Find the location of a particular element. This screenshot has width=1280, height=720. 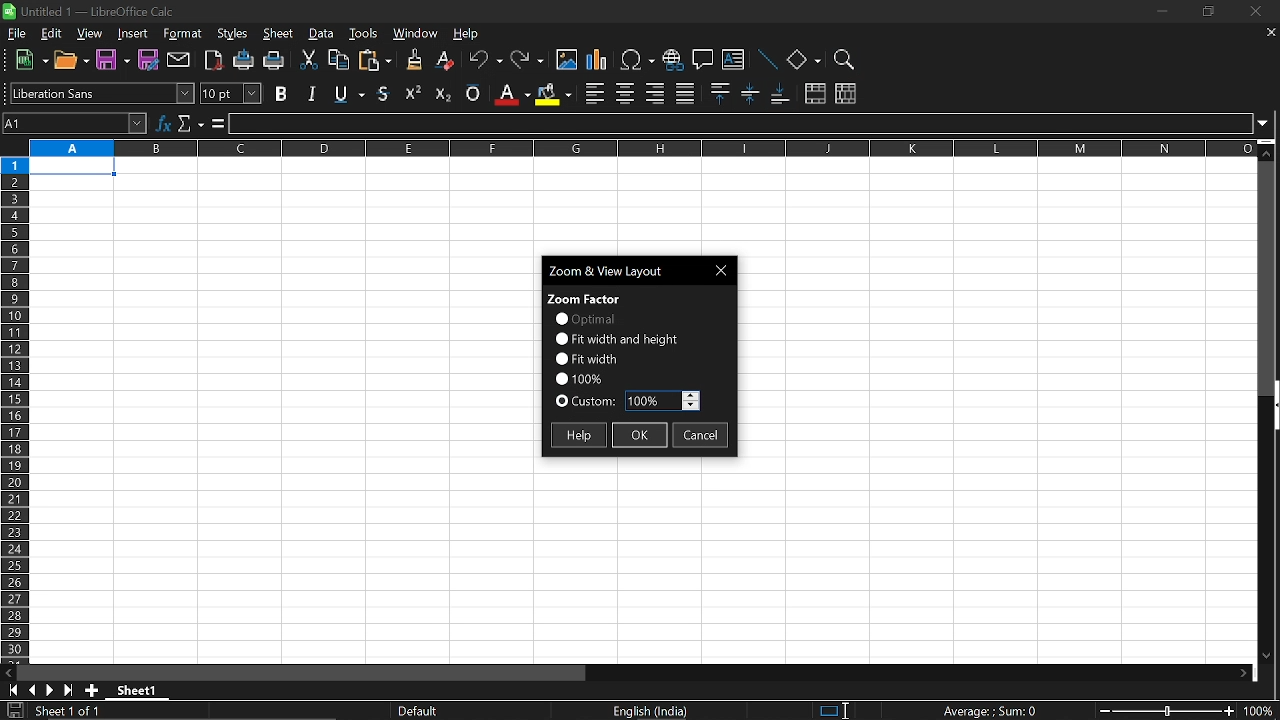

insert symbol is located at coordinates (637, 60).